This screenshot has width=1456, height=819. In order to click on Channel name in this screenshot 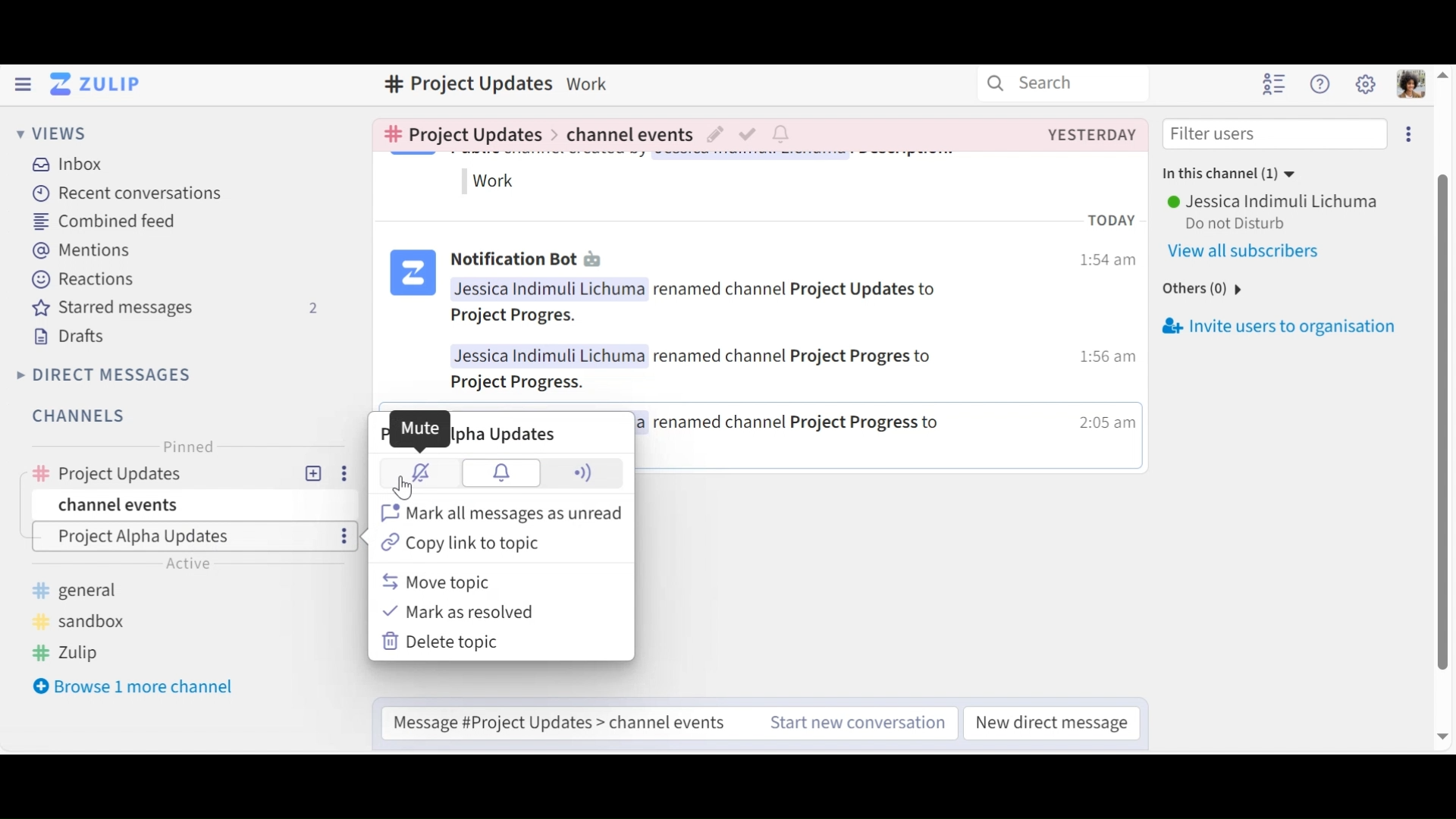, I will do `click(466, 84)`.